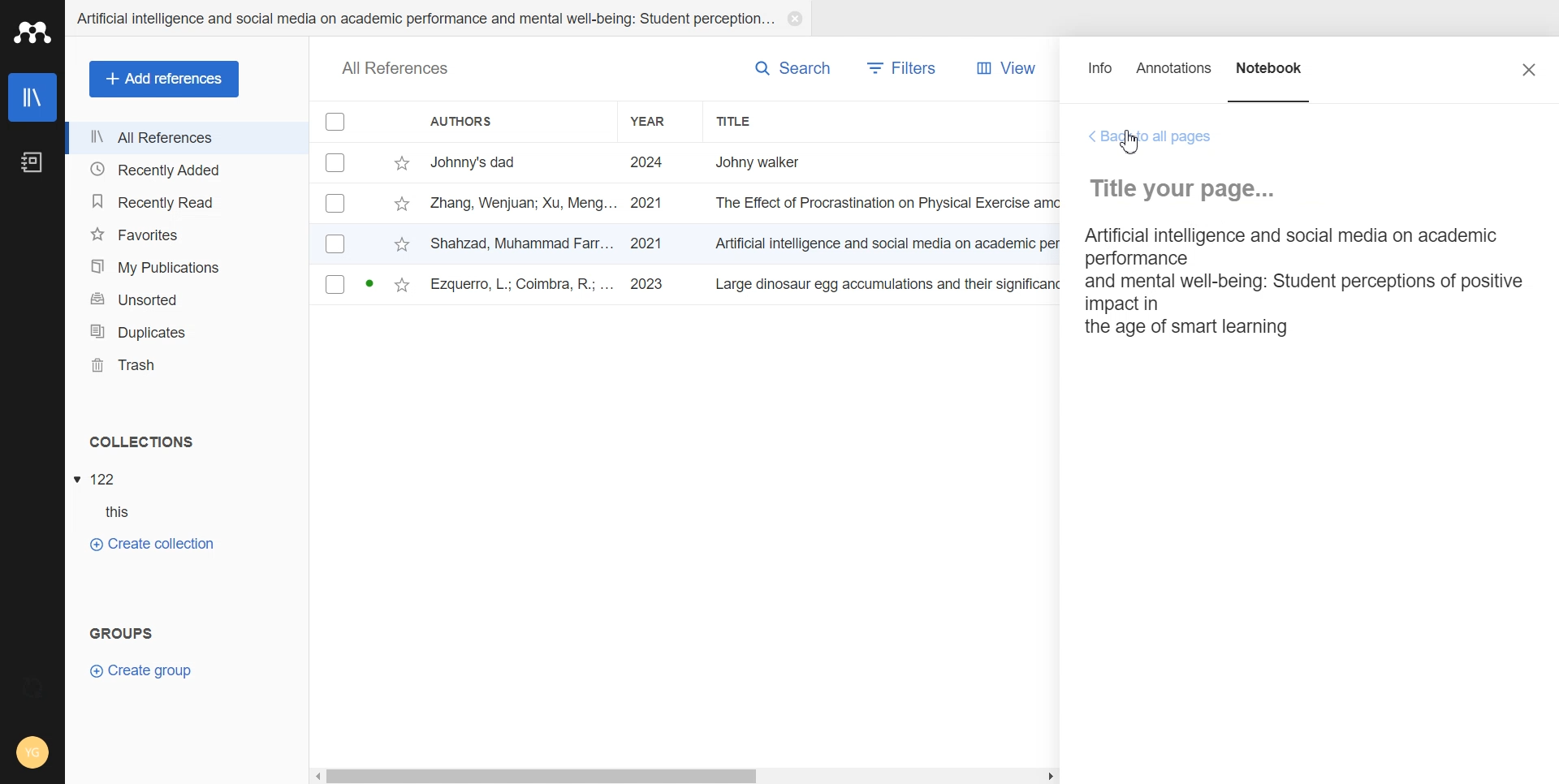  Describe the element at coordinates (105, 480) in the screenshot. I see `122` at that location.